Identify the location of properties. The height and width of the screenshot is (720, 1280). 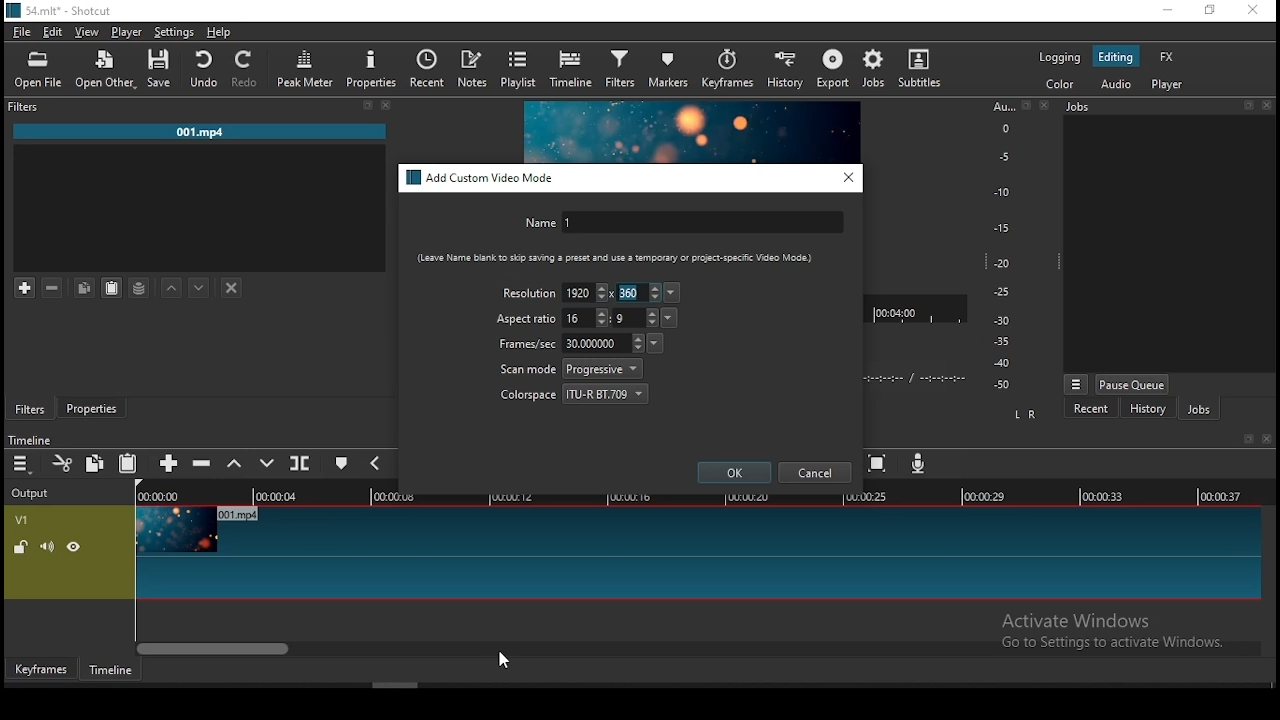
(373, 68).